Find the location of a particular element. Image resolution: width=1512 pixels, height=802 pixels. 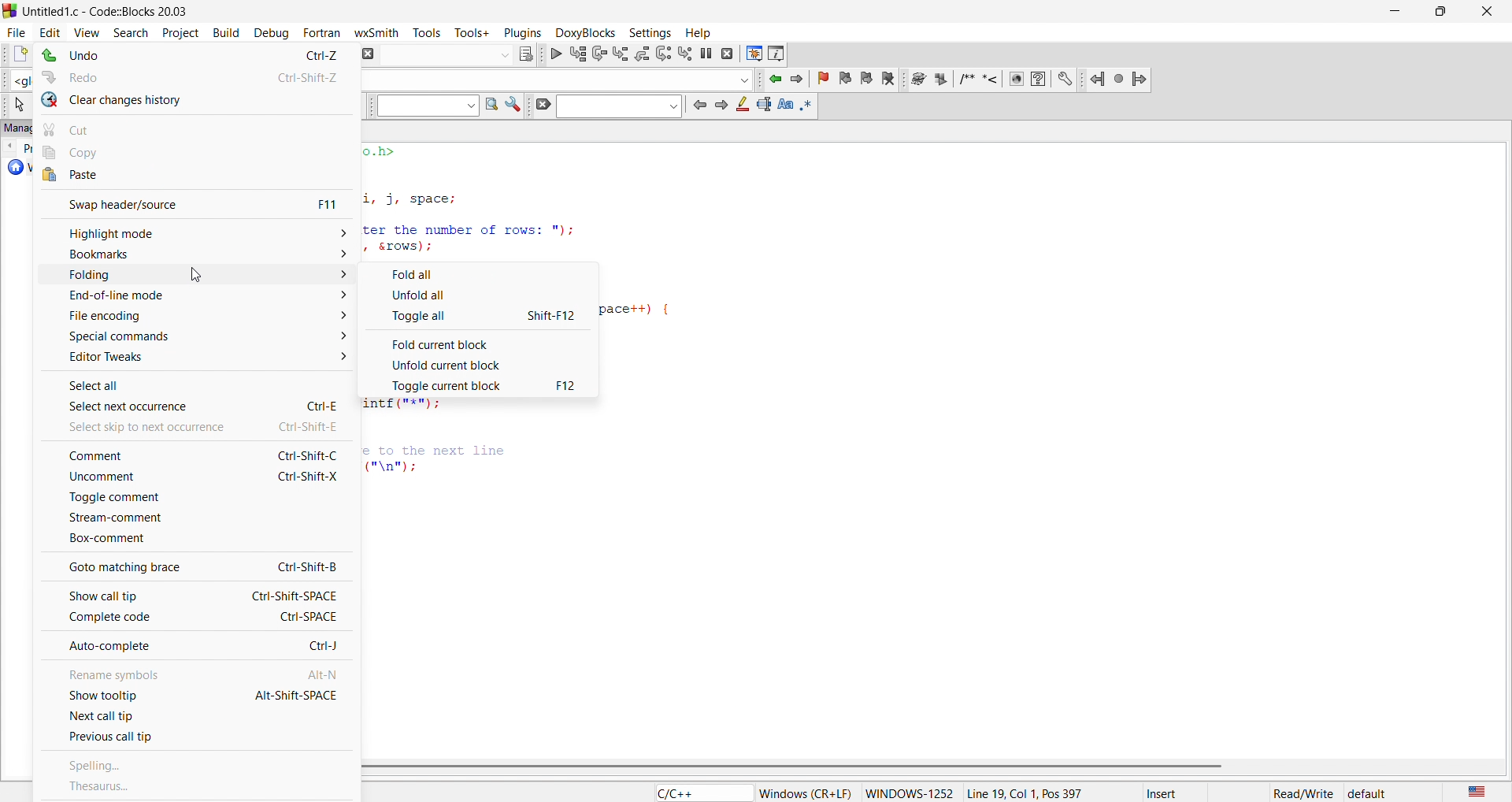

thesaurus is located at coordinates (196, 786).